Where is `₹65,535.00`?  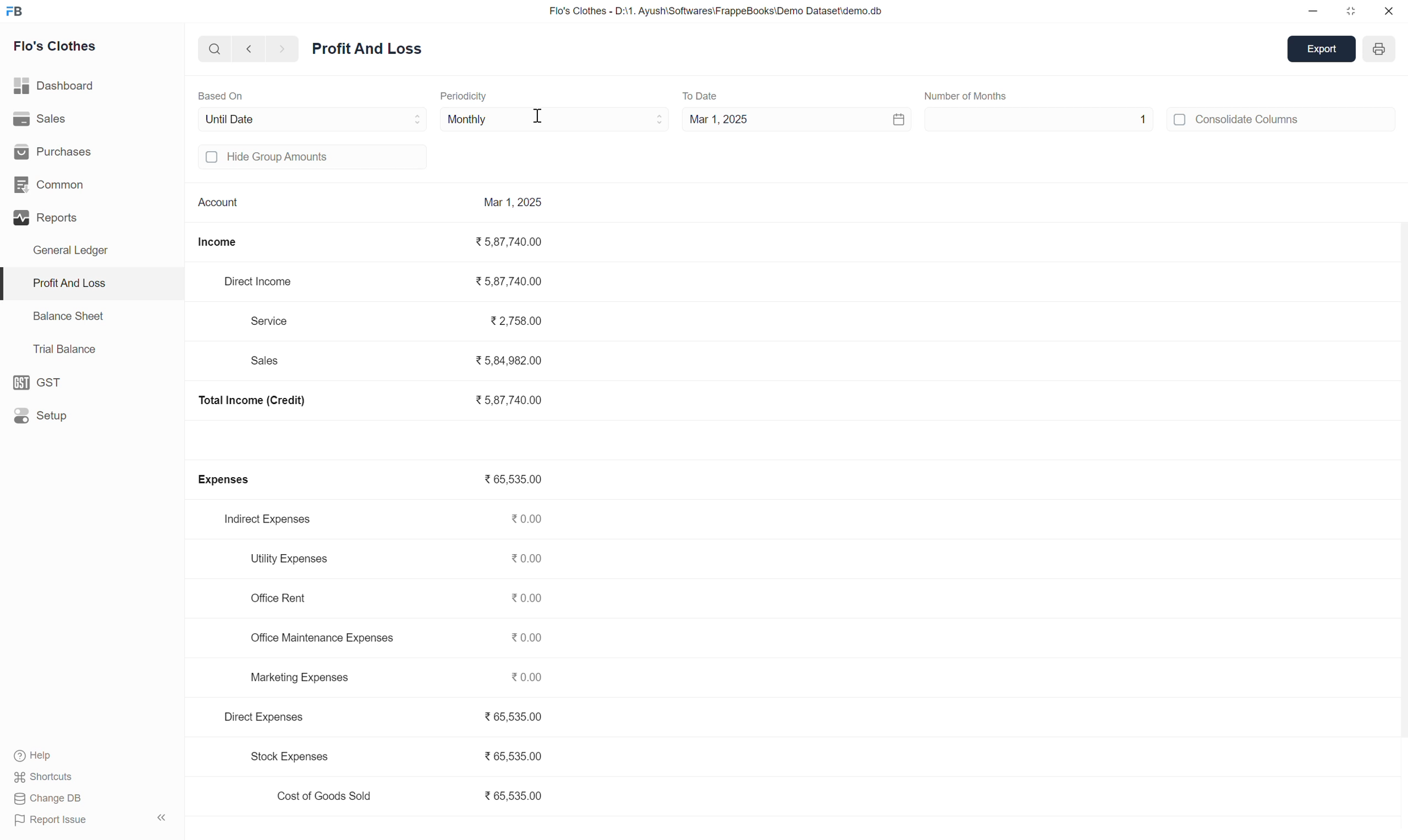
₹65,535.00 is located at coordinates (510, 481).